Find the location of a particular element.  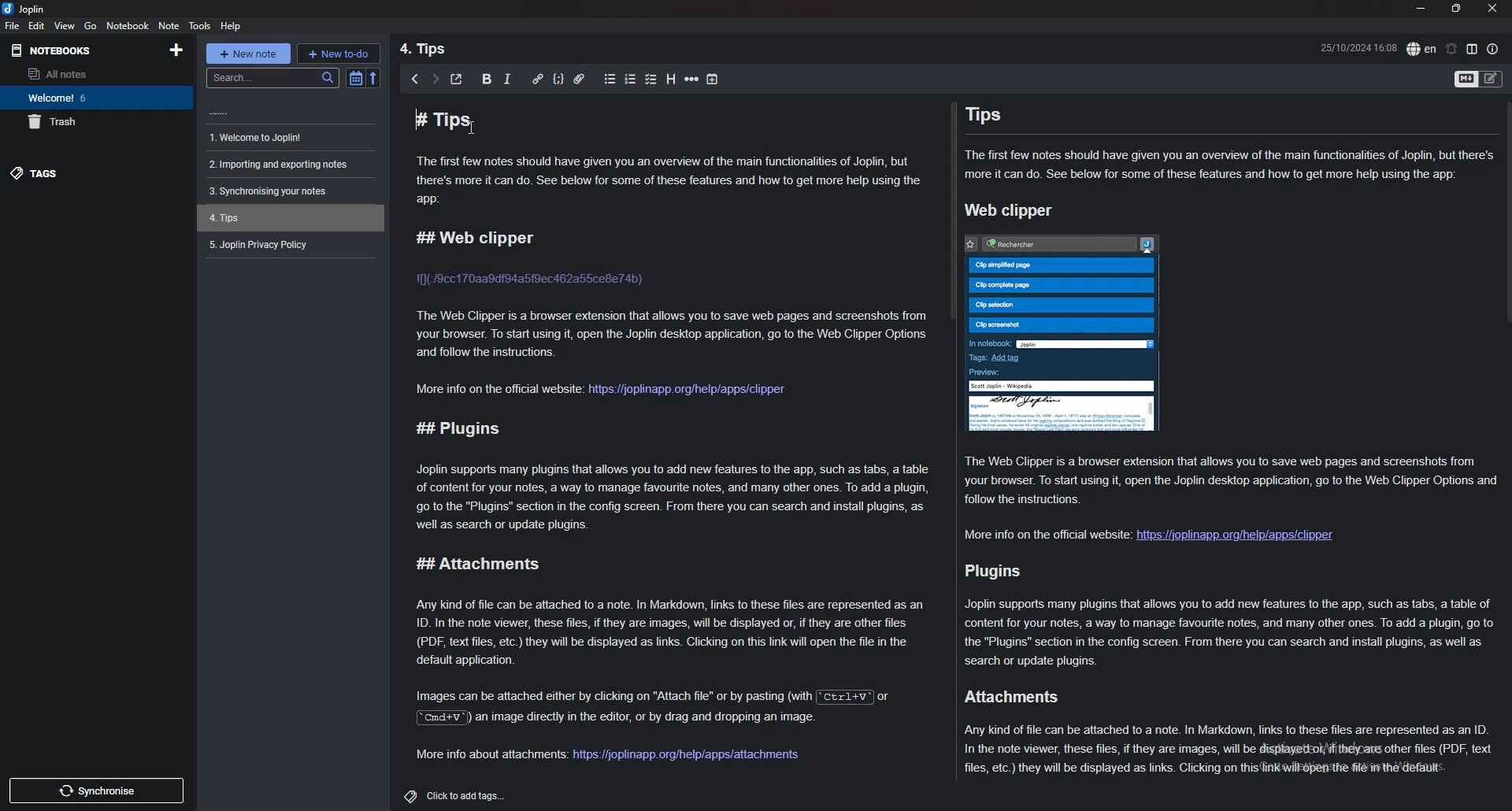

Preview is located at coordinates (988, 374).